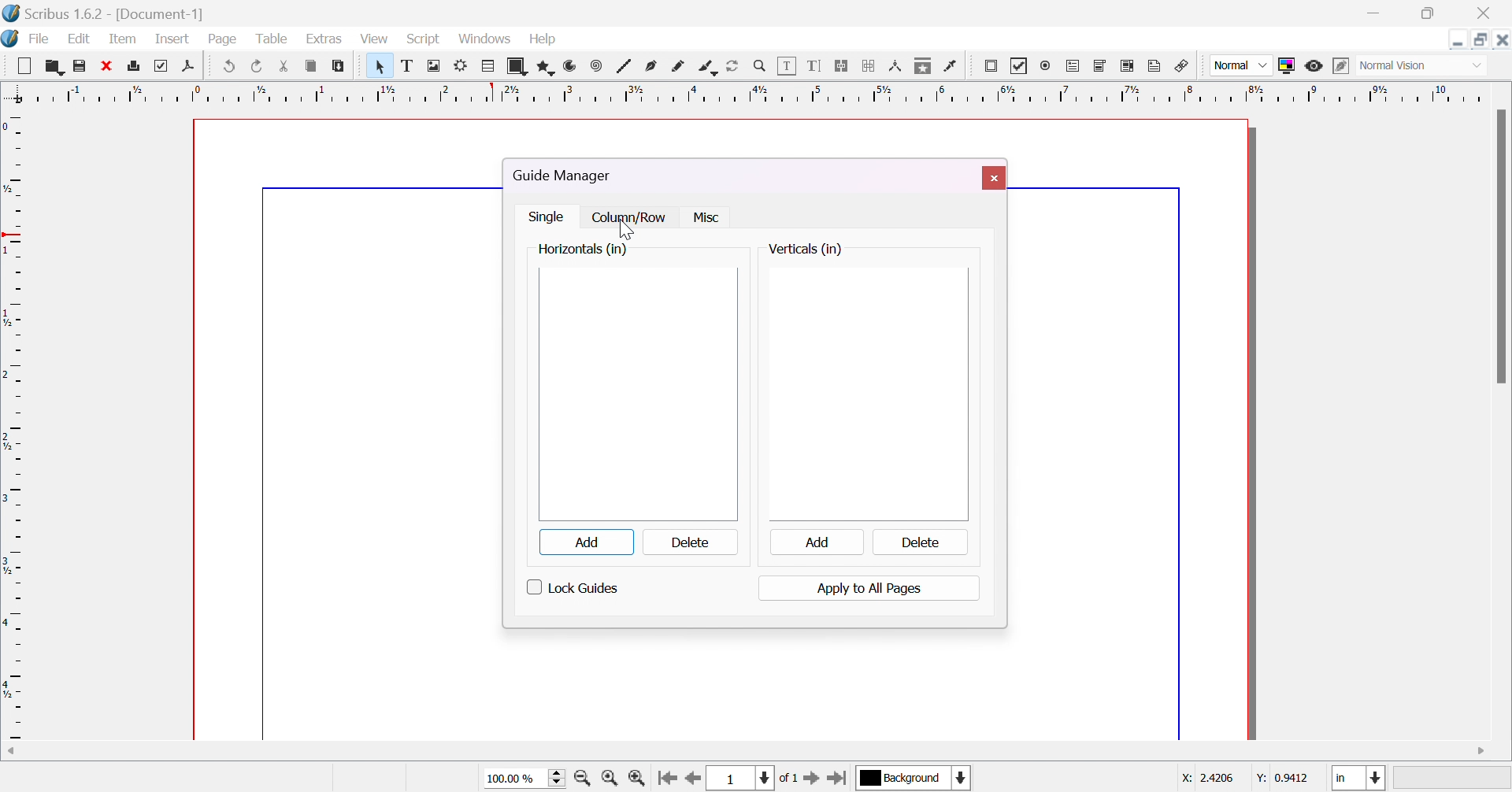 This screenshot has width=1512, height=792. What do you see at coordinates (53, 65) in the screenshot?
I see `open` at bounding box center [53, 65].